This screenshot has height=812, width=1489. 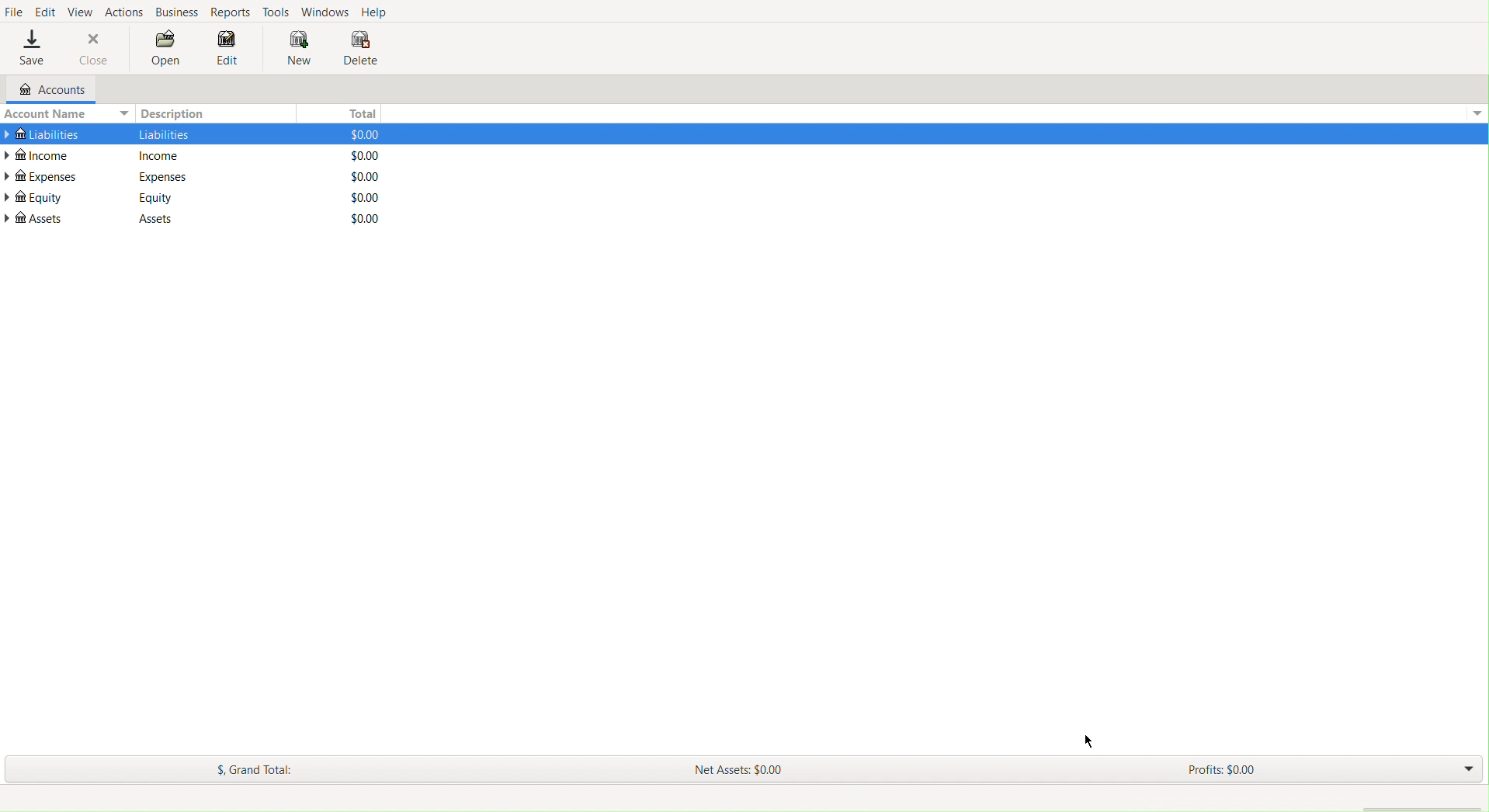 I want to click on Profits, so click(x=1221, y=771).